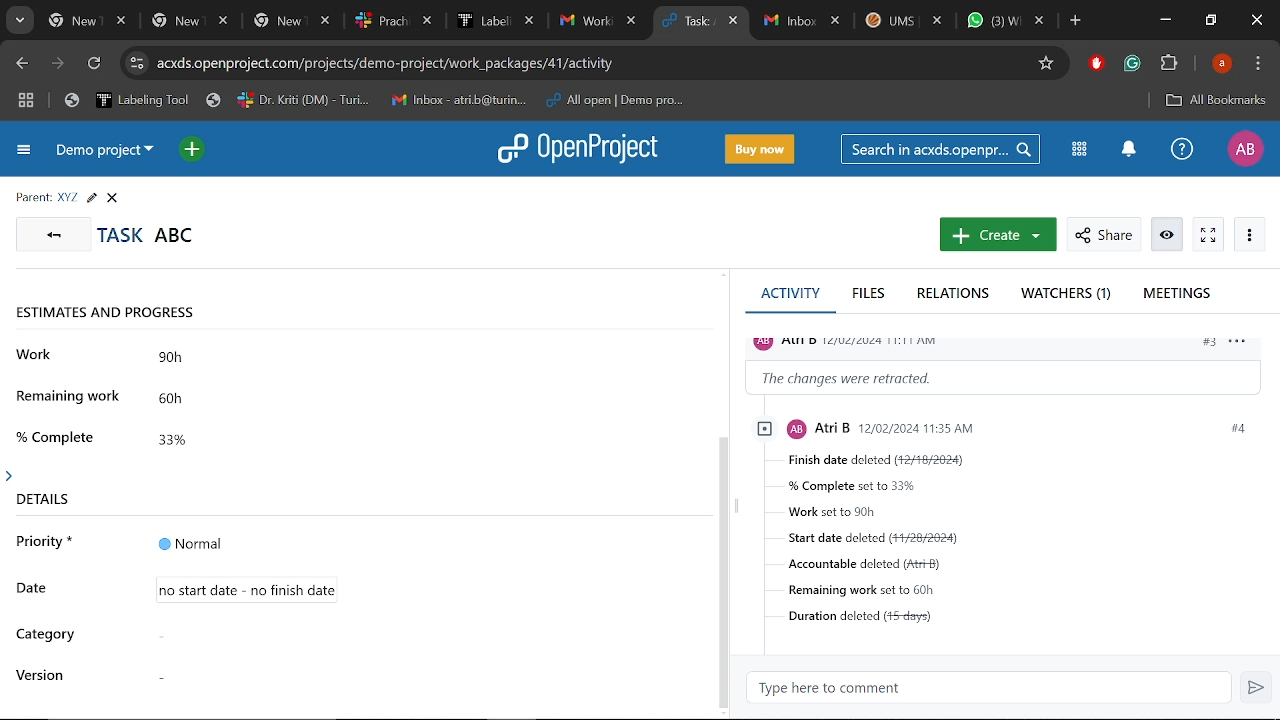  Describe the element at coordinates (1169, 65) in the screenshot. I see `Extenions` at that location.